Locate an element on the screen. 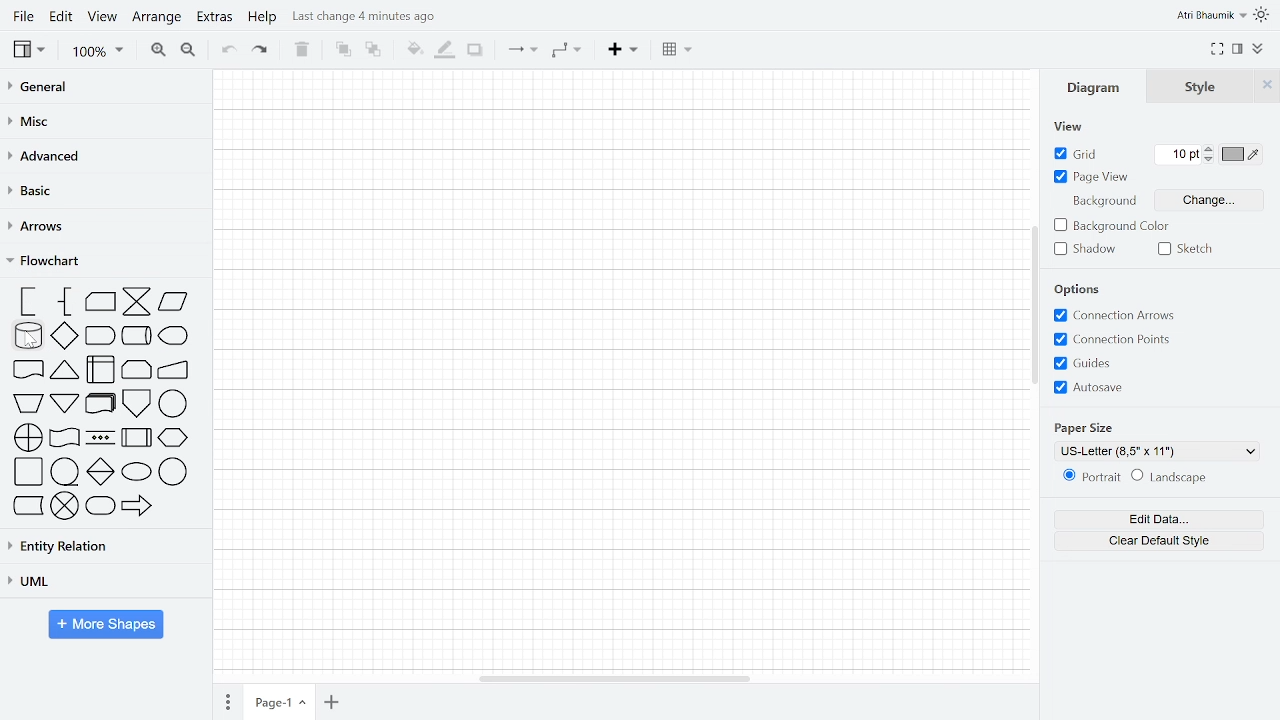 The width and height of the screenshot is (1280, 720). or  is located at coordinates (27, 437).